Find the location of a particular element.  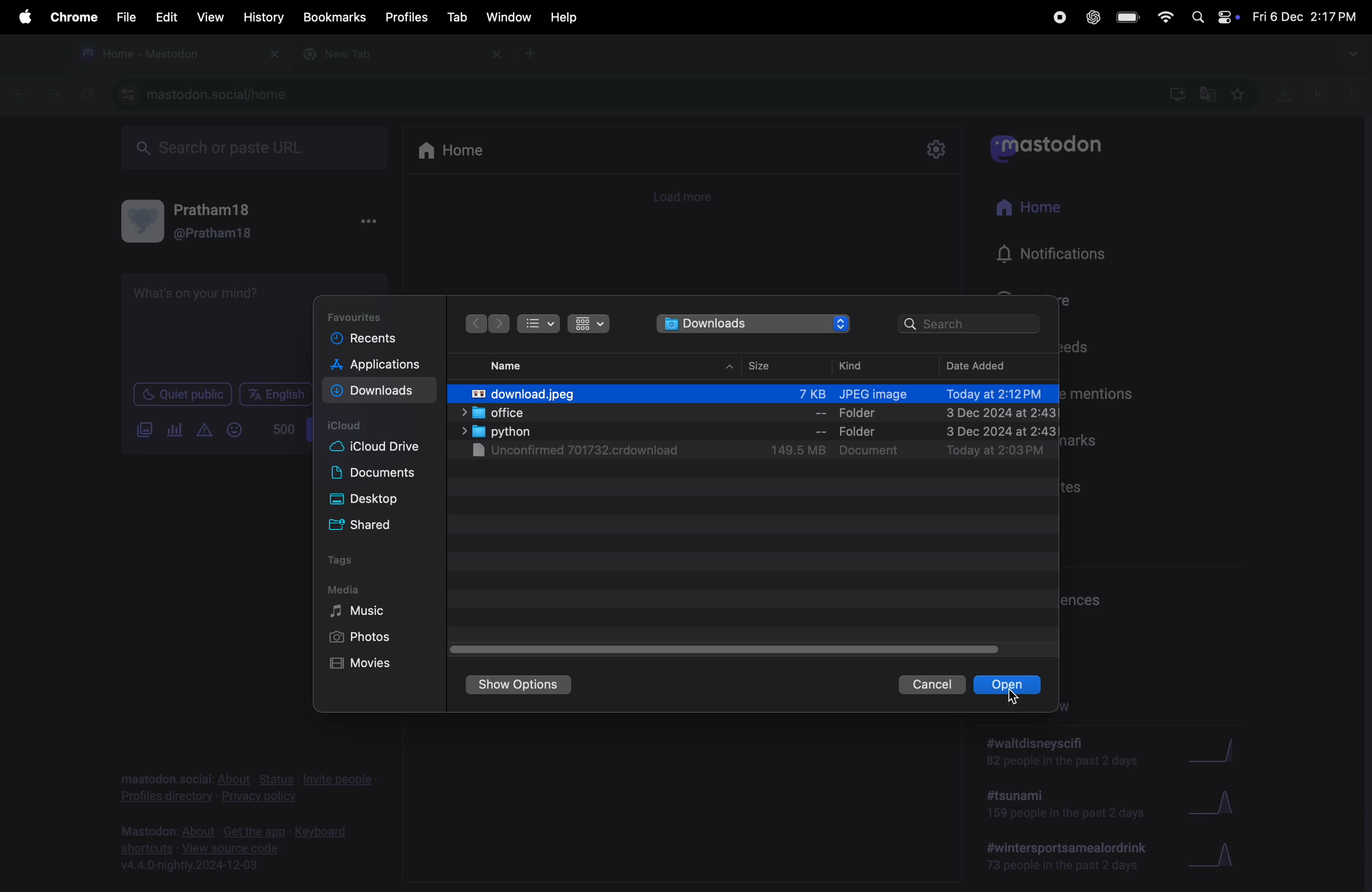

name is located at coordinates (504, 363).